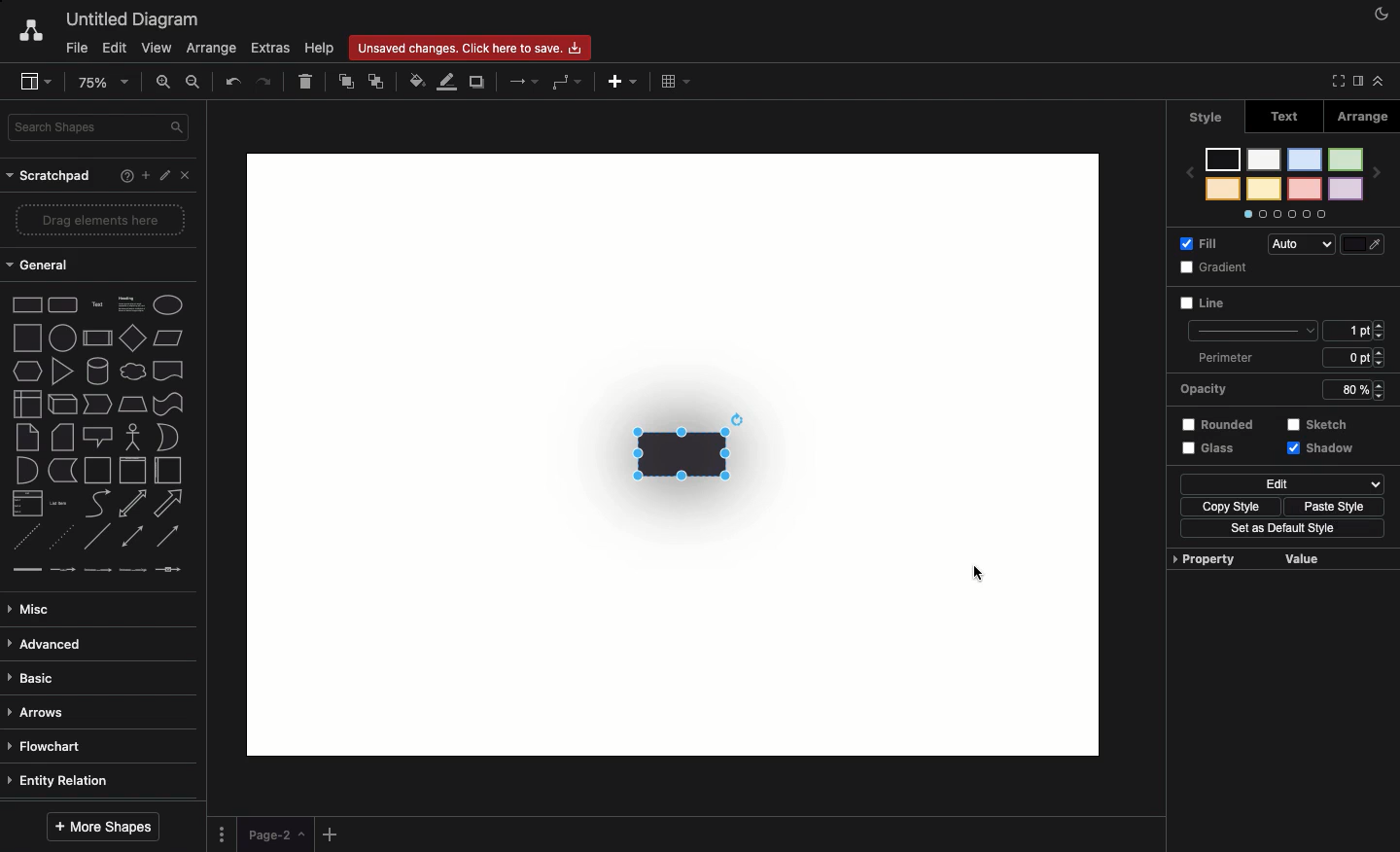  What do you see at coordinates (27, 306) in the screenshot?
I see `Rectangle ` at bounding box center [27, 306].